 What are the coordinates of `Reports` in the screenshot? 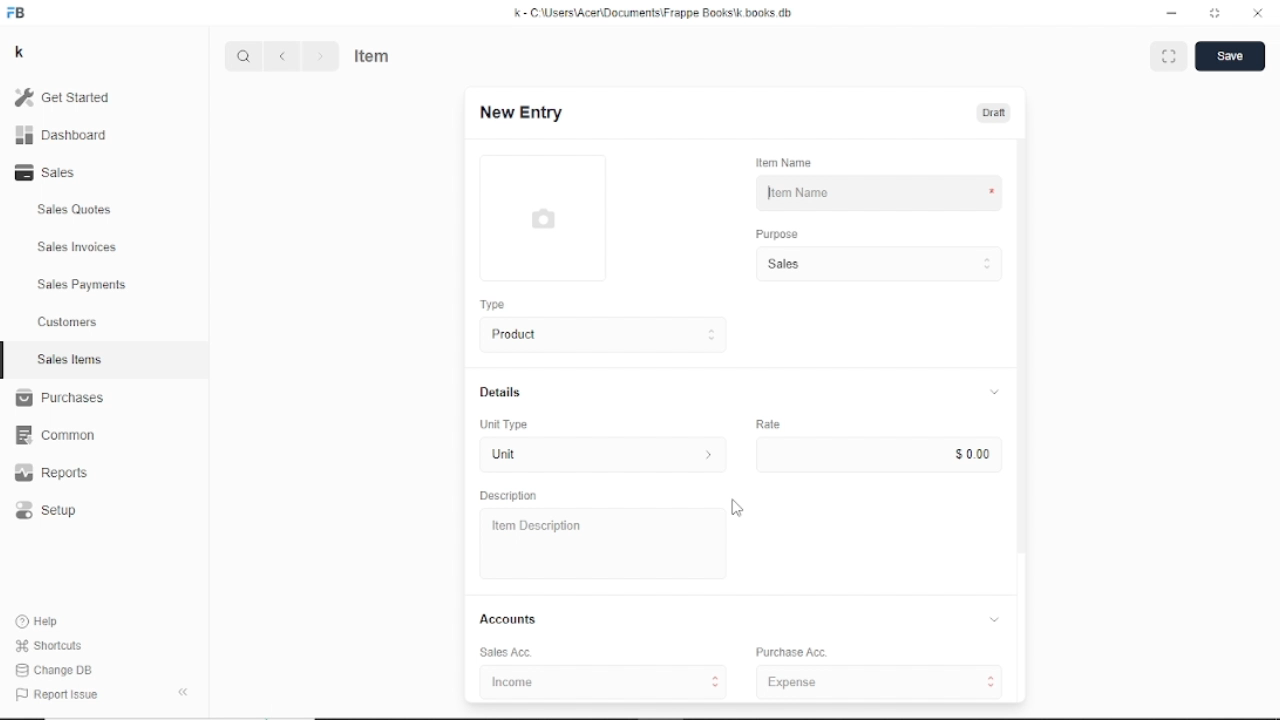 It's located at (52, 472).